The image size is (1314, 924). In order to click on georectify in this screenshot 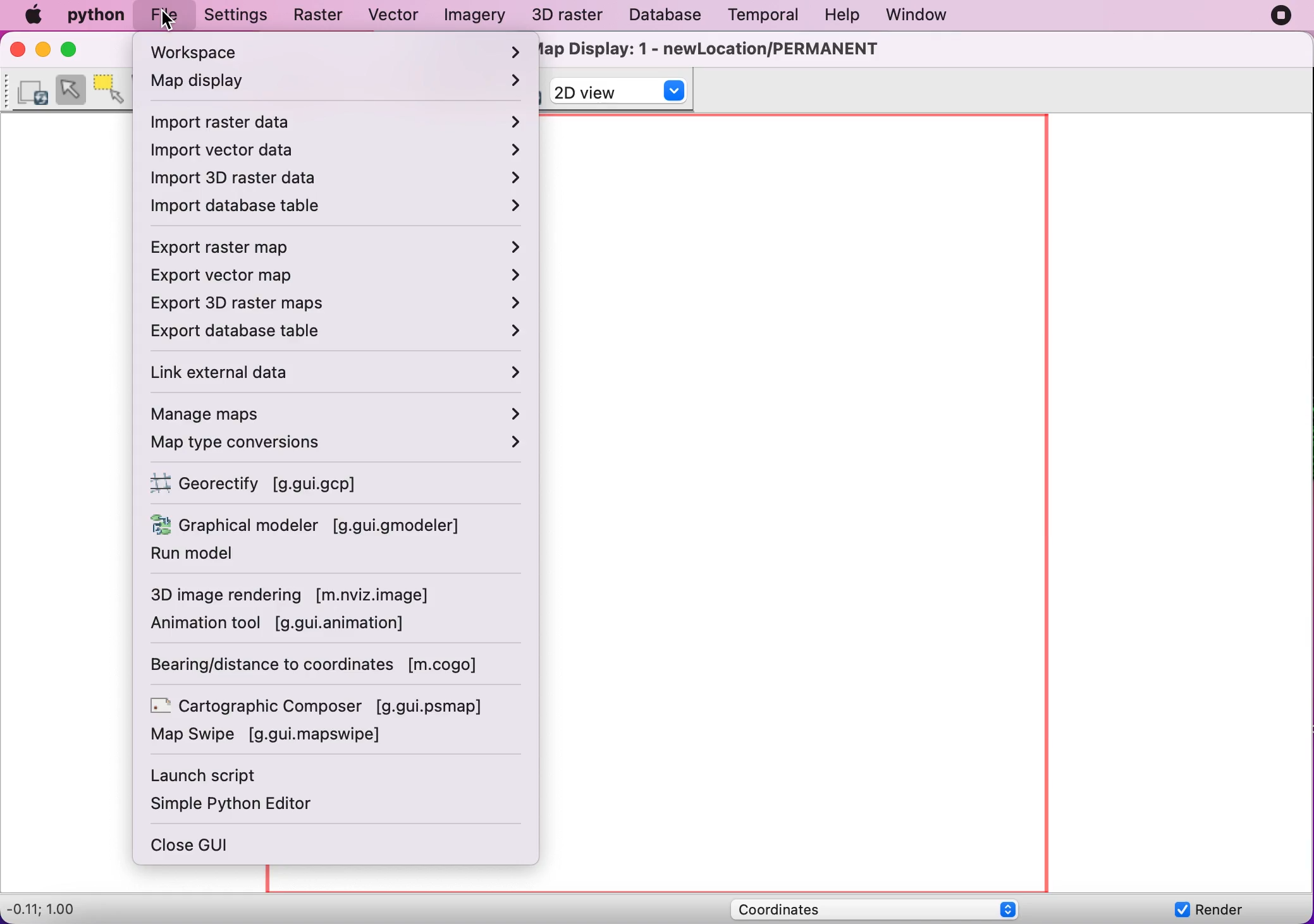, I will do `click(278, 483)`.